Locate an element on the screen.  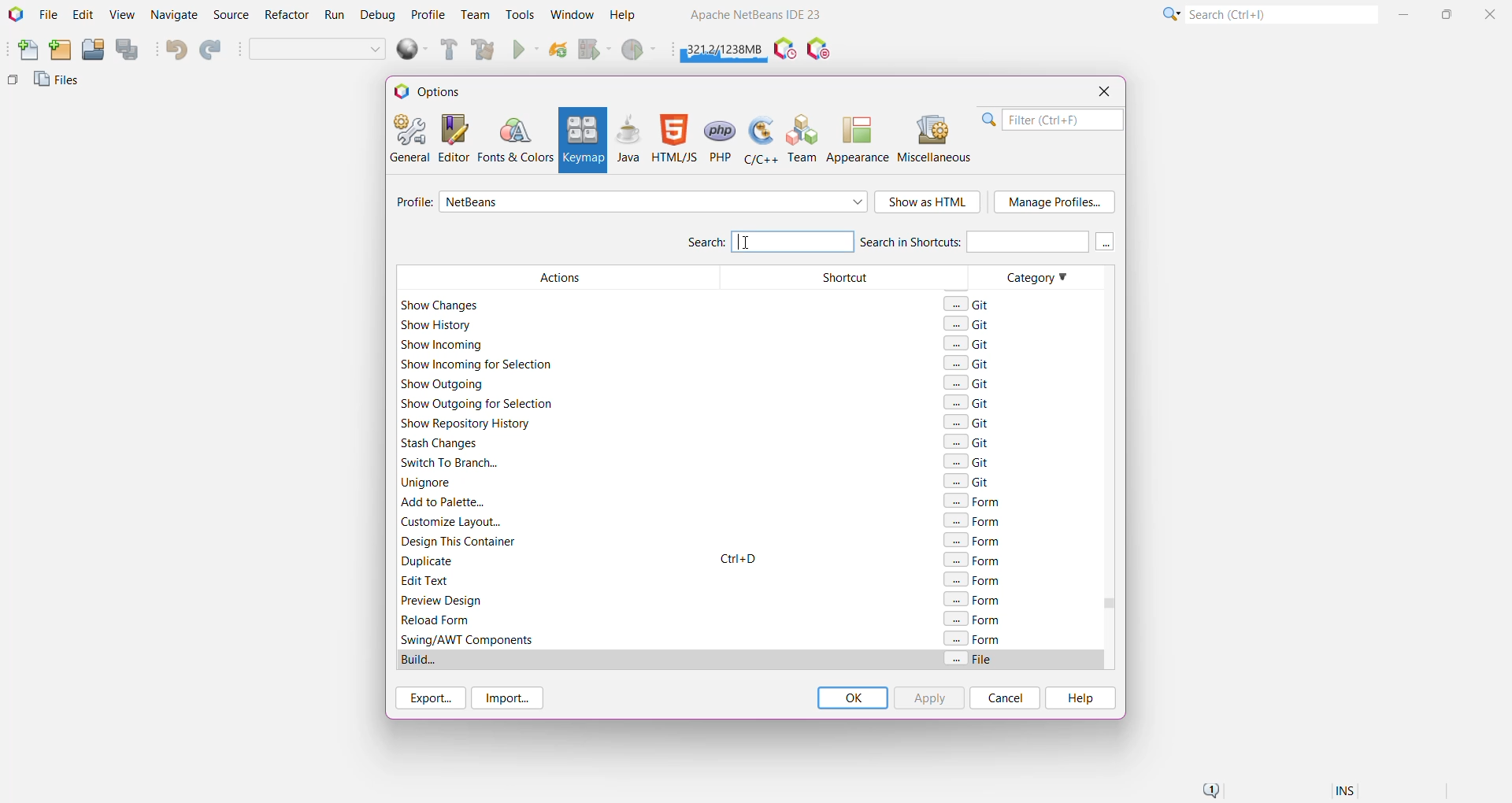
Build Main Project is located at coordinates (447, 50).